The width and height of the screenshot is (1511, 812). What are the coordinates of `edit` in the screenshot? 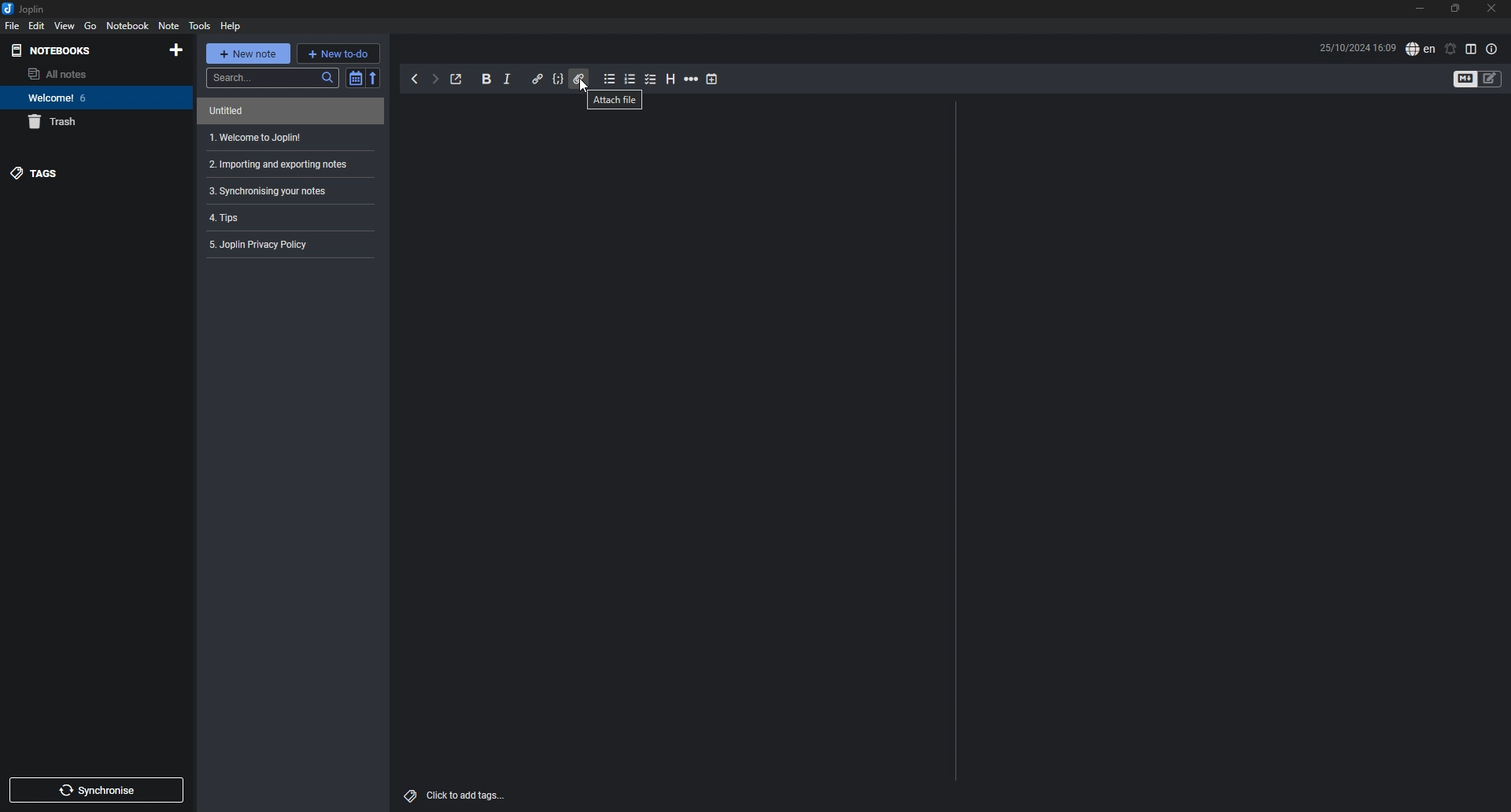 It's located at (37, 25).